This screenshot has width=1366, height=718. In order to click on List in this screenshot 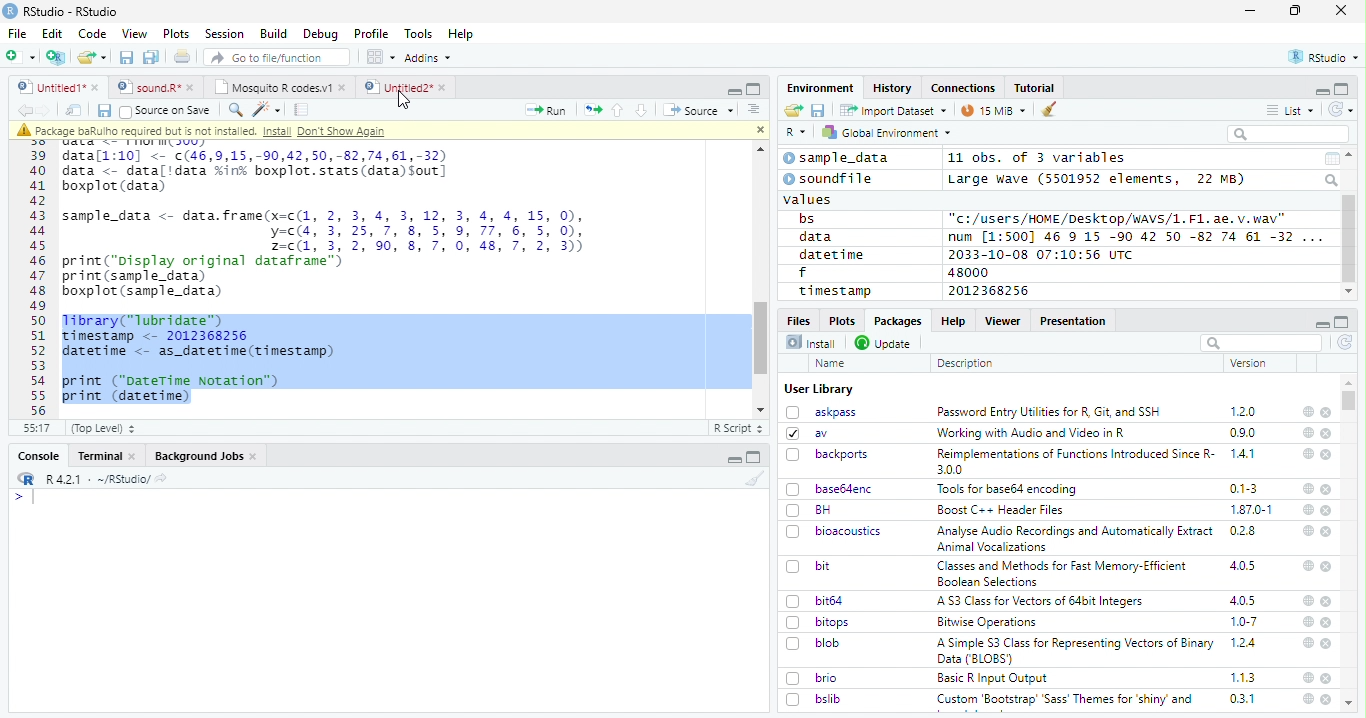, I will do `click(1291, 111)`.